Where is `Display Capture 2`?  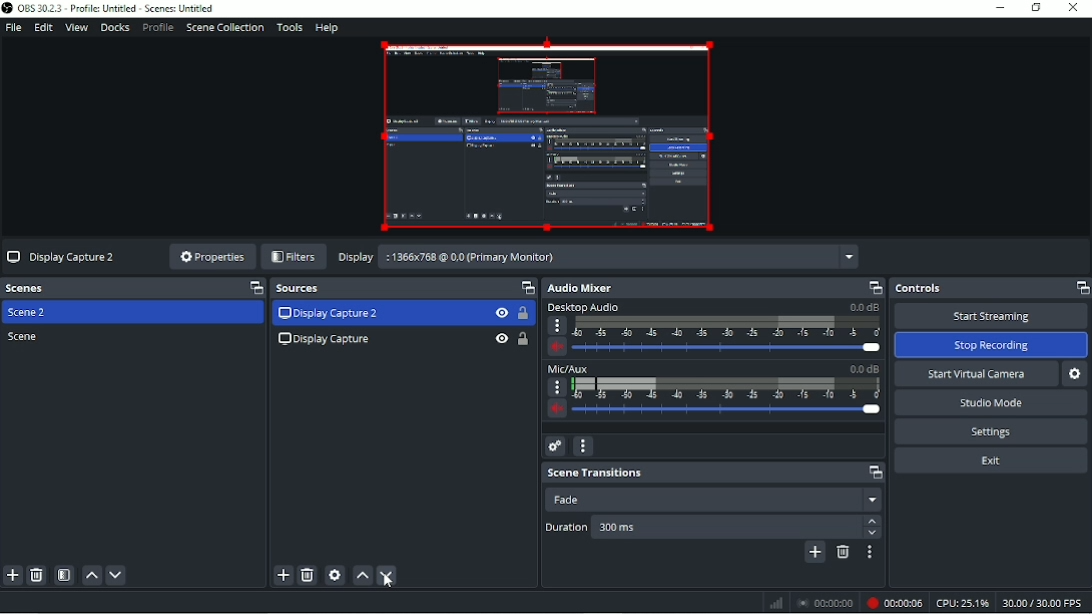
Display Capture 2 is located at coordinates (63, 258).